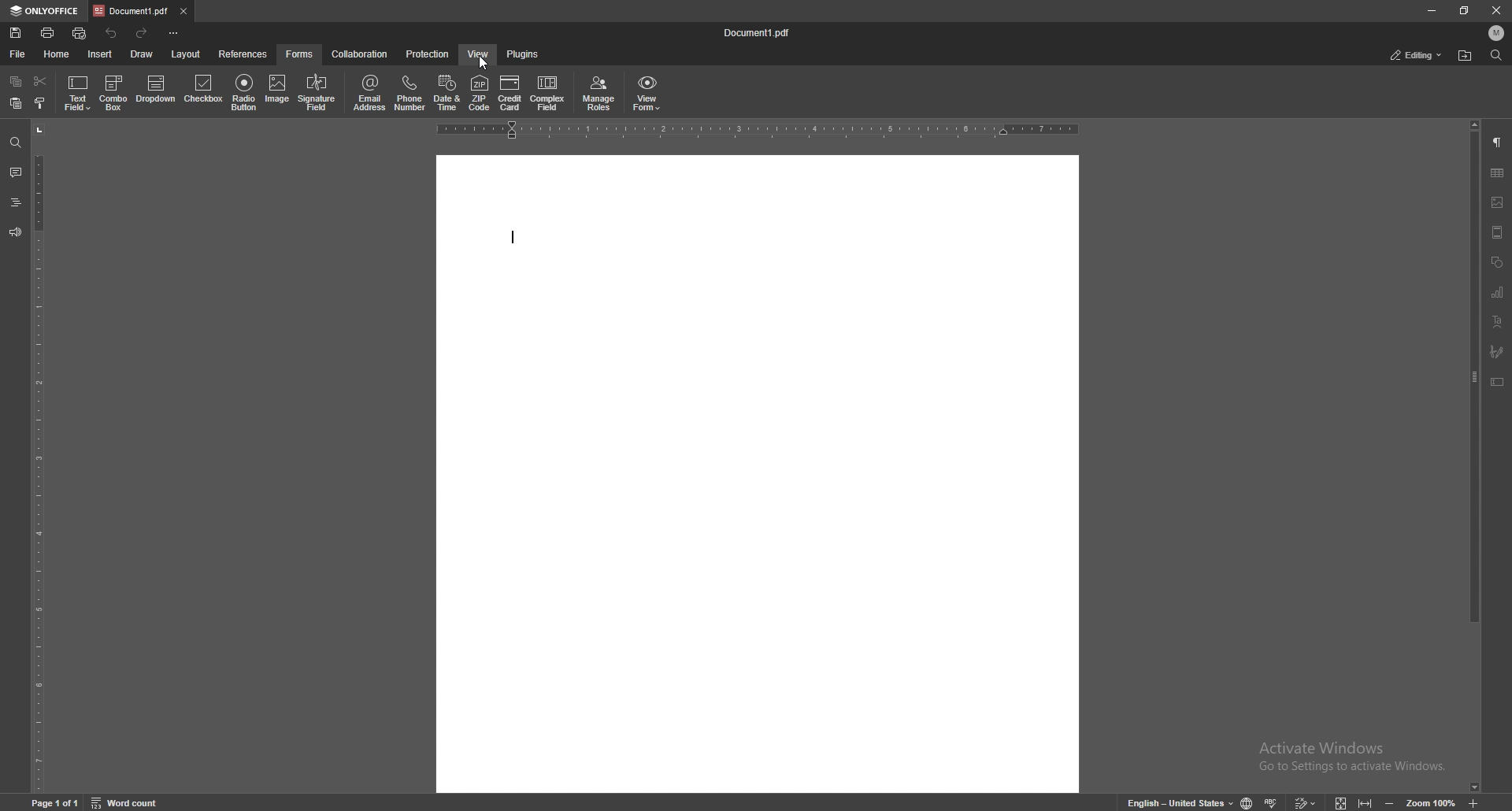  Describe the element at coordinates (647, 92) in the screenshot. I see `view form` at that location.